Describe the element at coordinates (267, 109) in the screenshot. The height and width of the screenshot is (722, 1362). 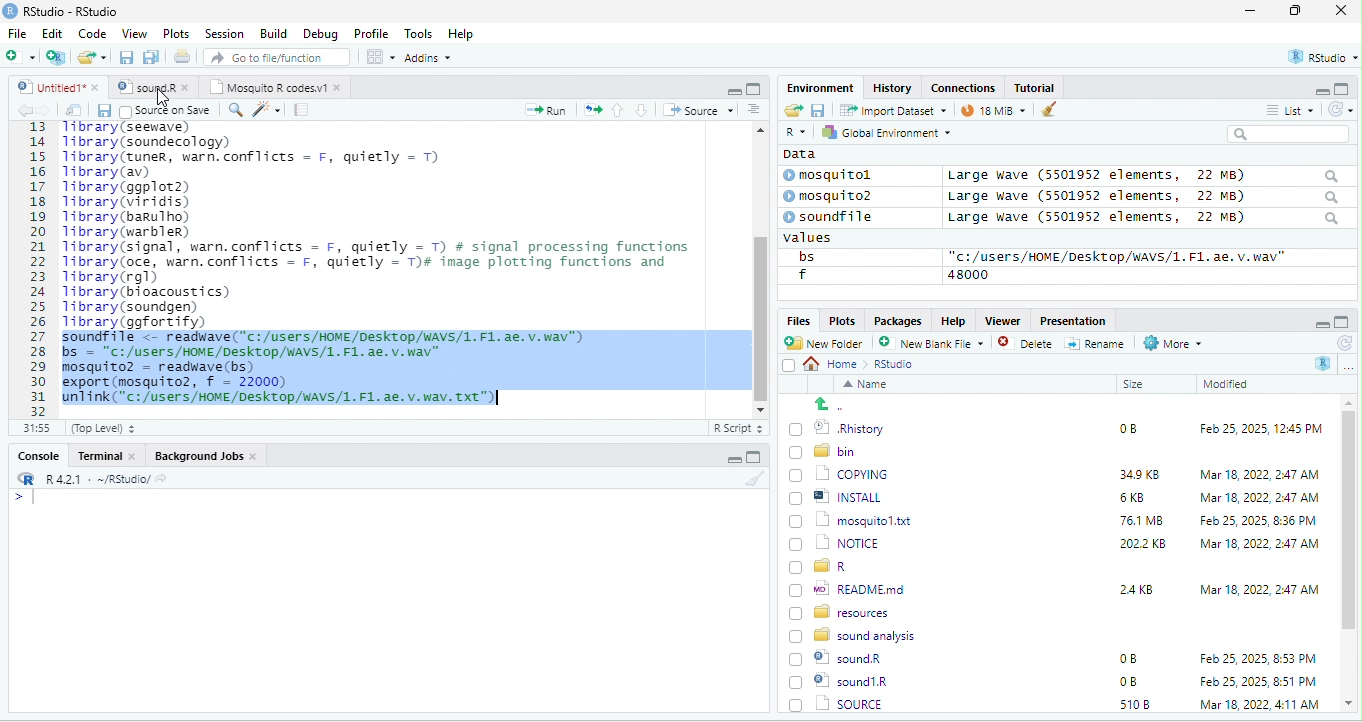
I see `sharpen` at that location.